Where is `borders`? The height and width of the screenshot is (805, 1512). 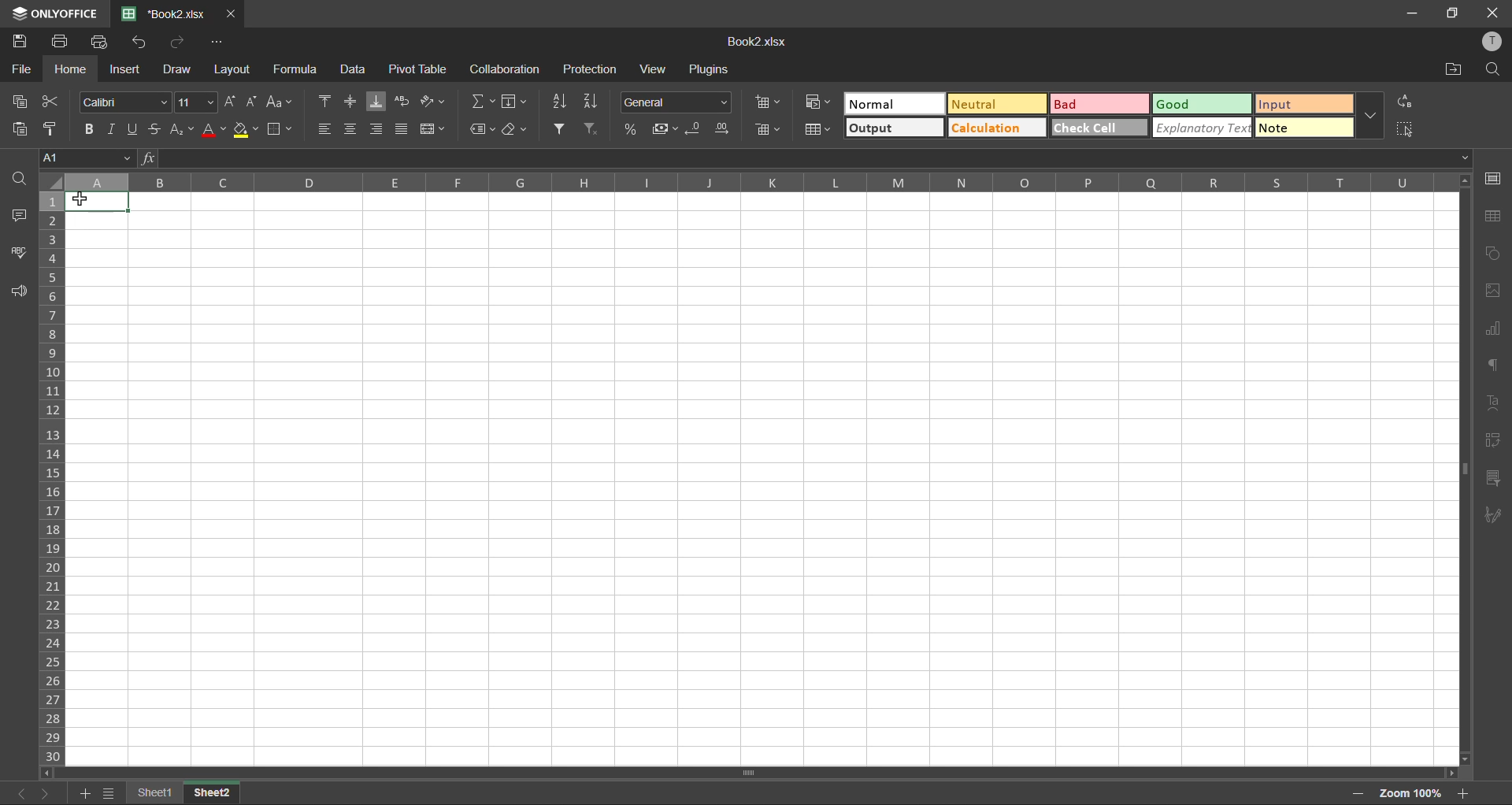
borders is located at coordinates (282, 131).